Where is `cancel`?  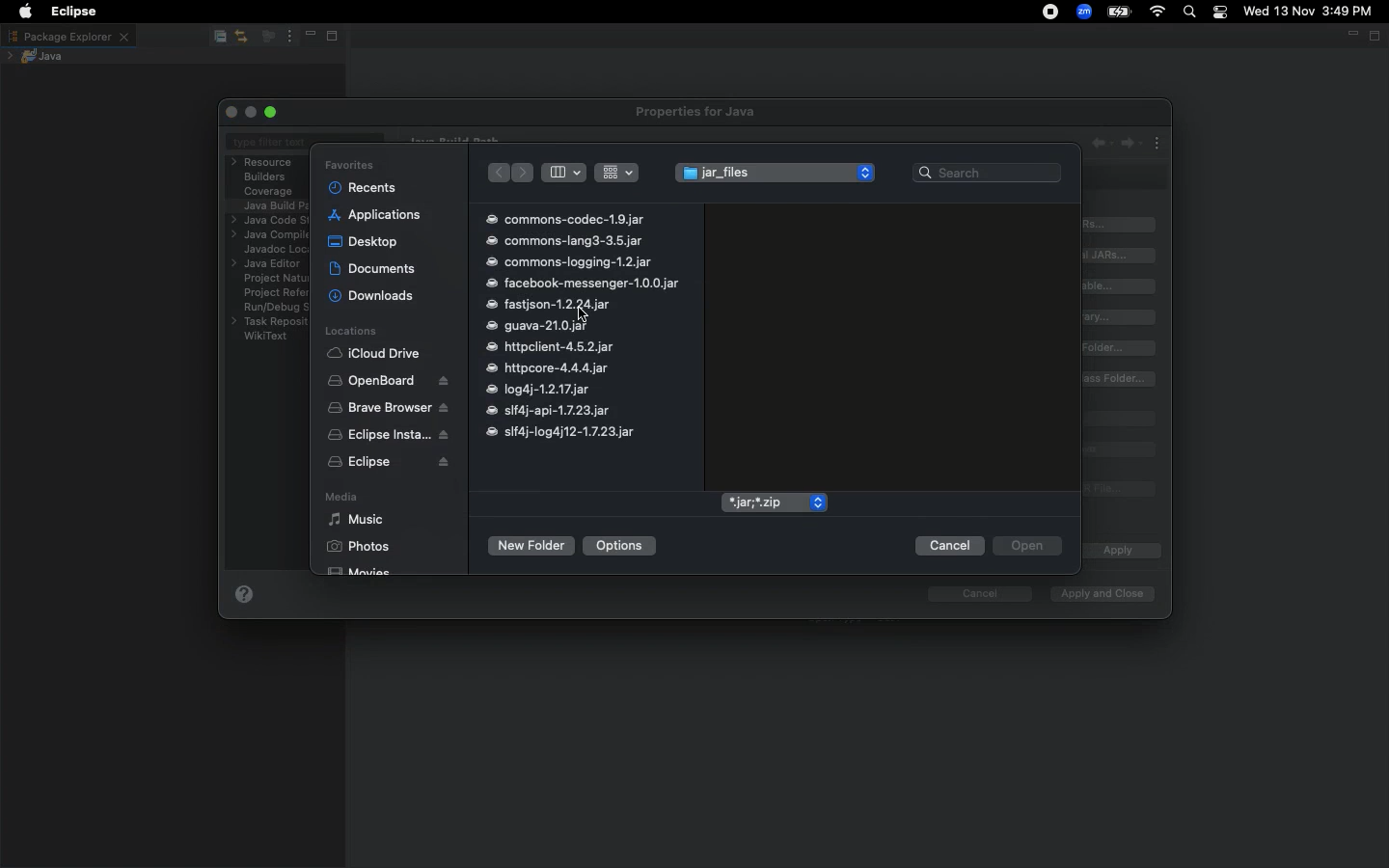 cancel is located at coordinates (970, 594).